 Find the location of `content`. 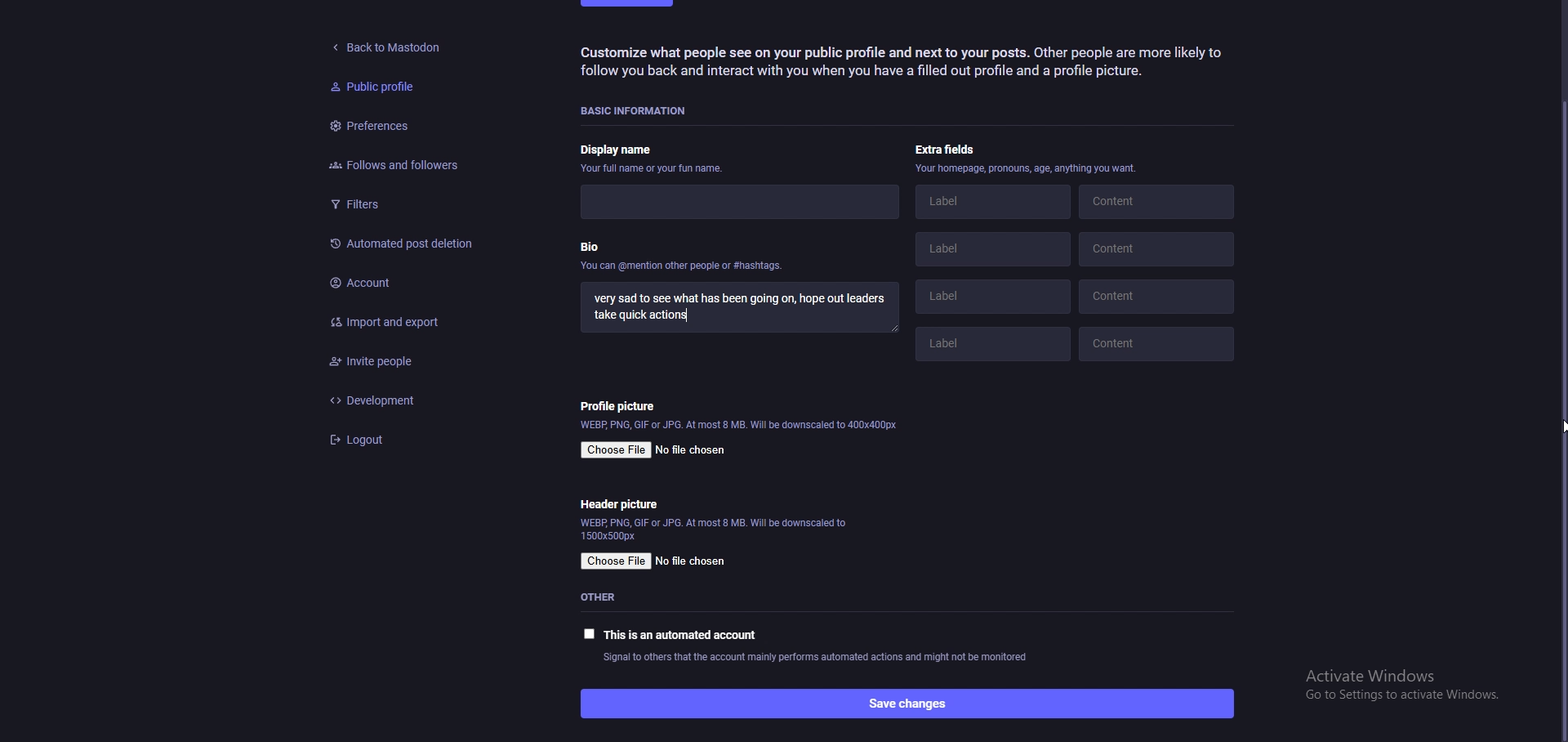

content is located at coordinates (1160, 295).